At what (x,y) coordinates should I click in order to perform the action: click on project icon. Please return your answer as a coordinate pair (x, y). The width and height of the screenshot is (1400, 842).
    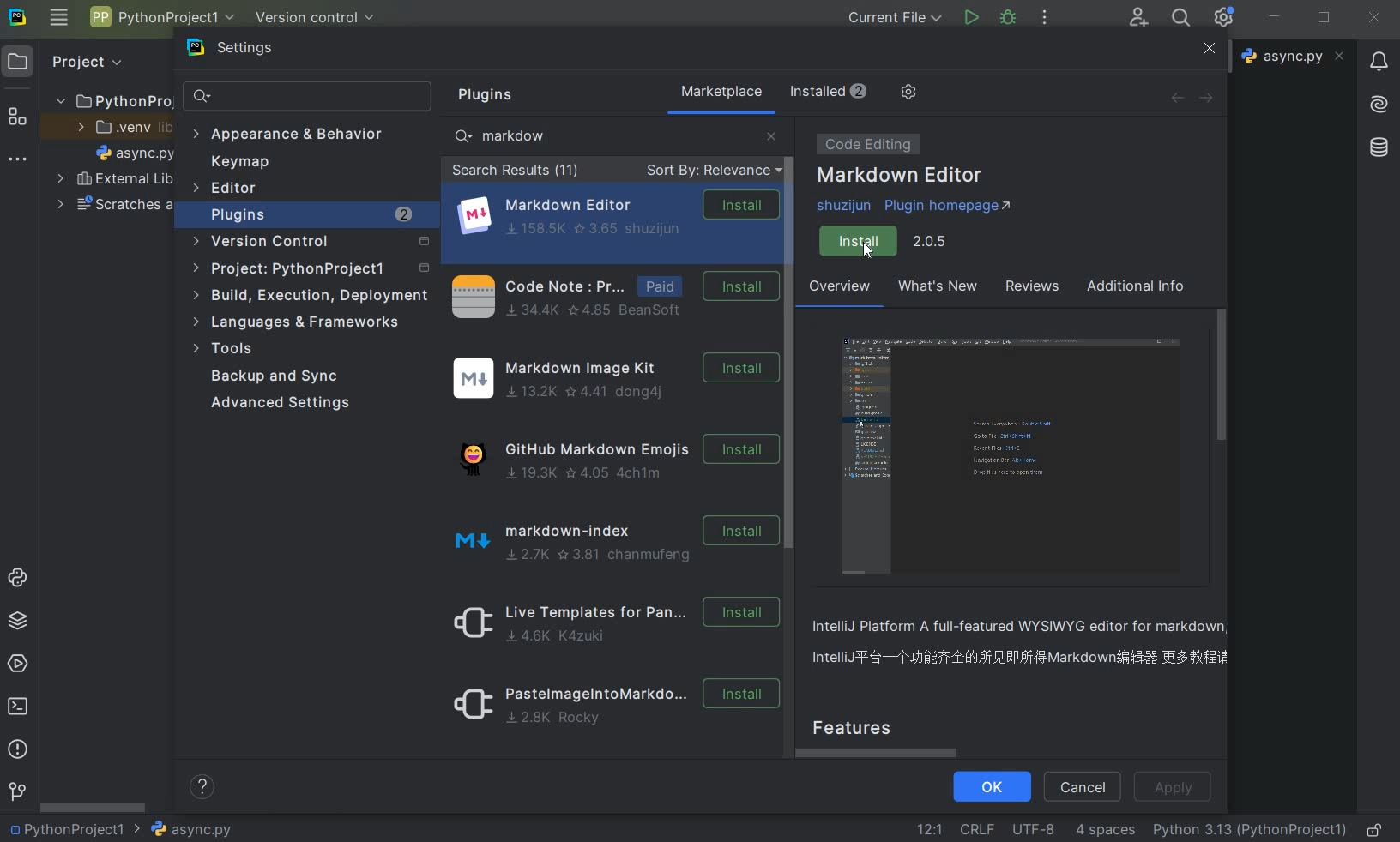
    Looking at the image, I should click on (21, 62).